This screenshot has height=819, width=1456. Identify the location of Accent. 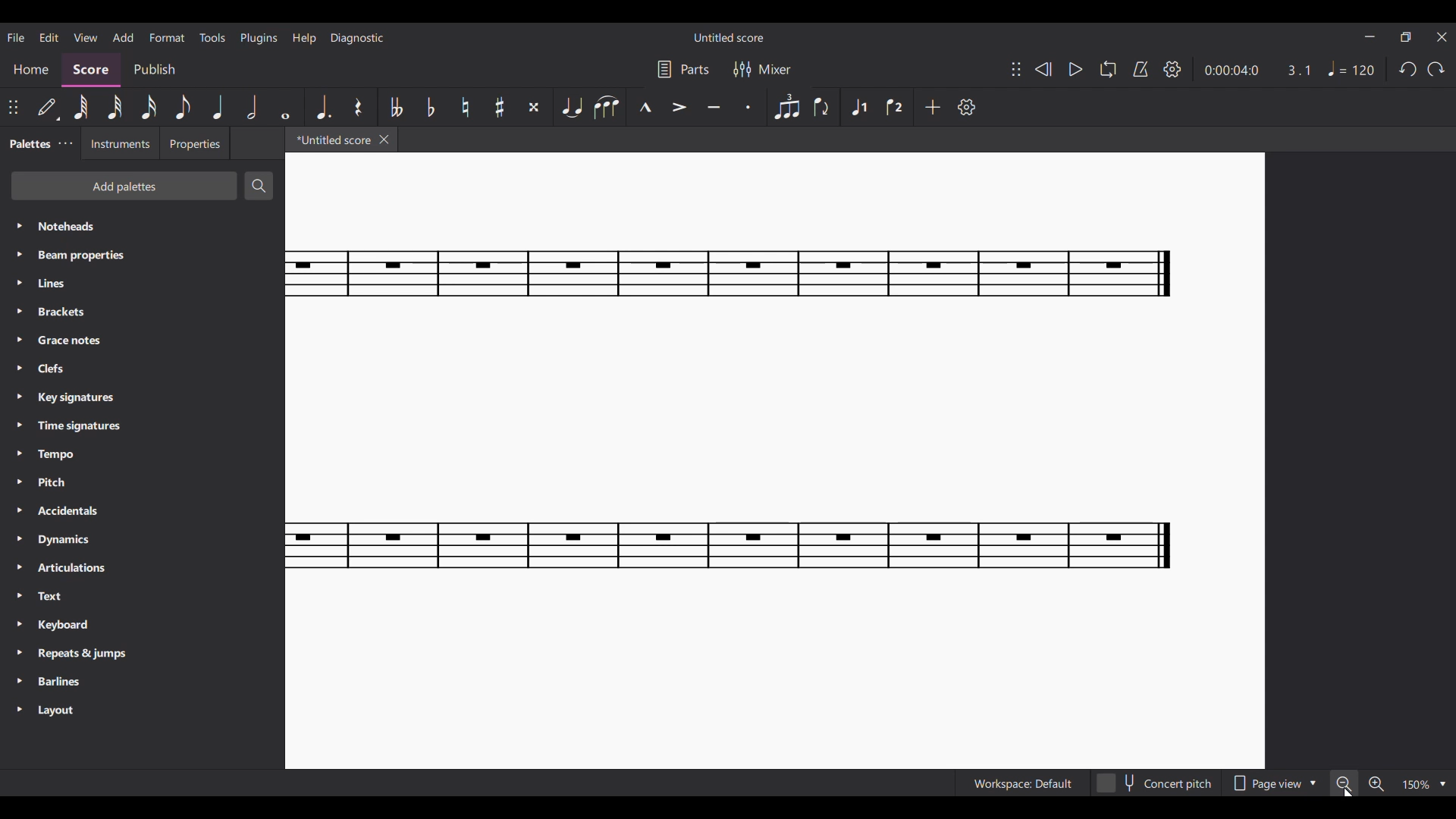
(679, 107).